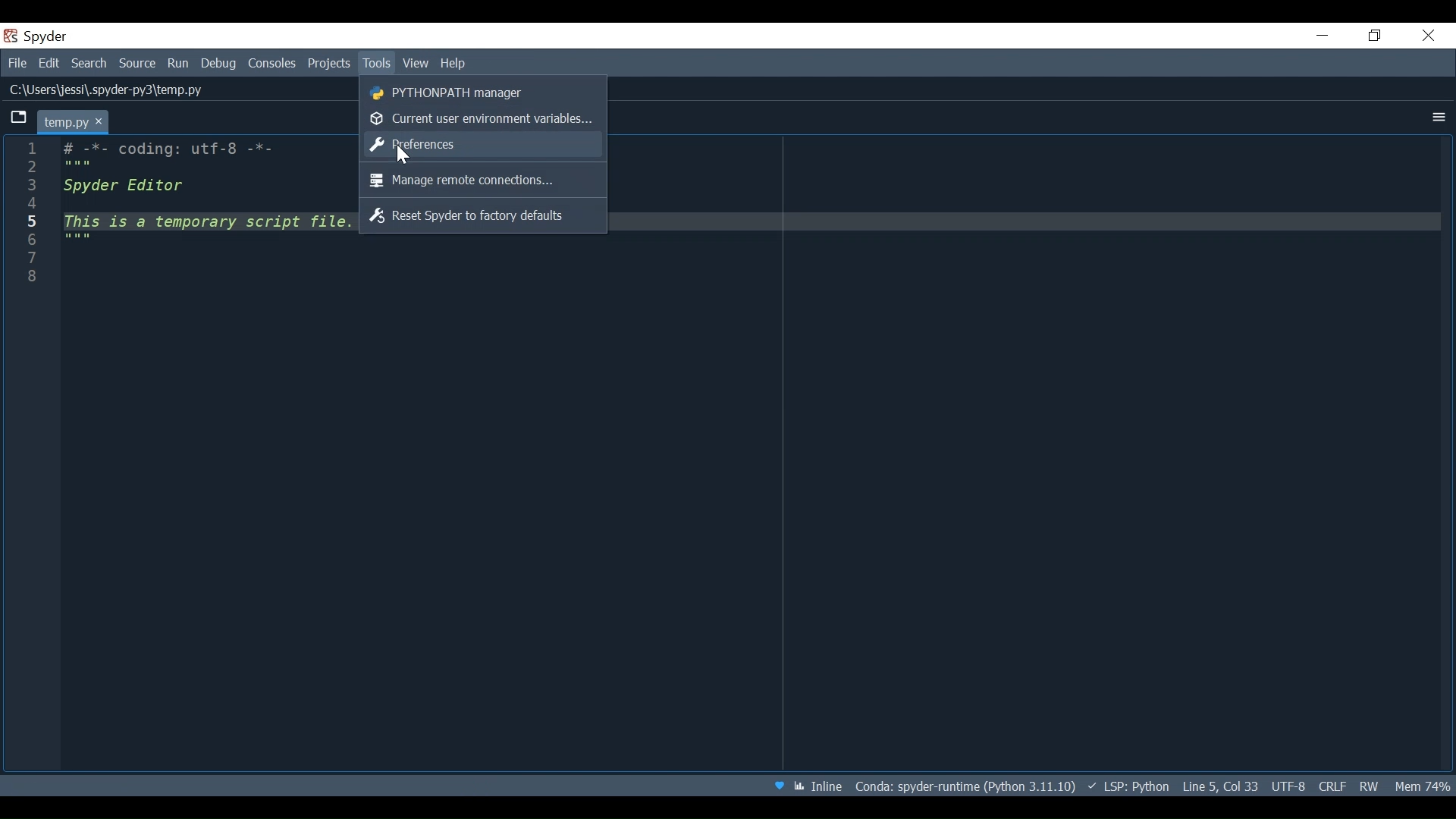 The width and height of the screenshot is (1456, 819). What do you see at coordinates (780, 784) in the screenshot?
I see `Help Spyder` at bounding box center [780, 784].